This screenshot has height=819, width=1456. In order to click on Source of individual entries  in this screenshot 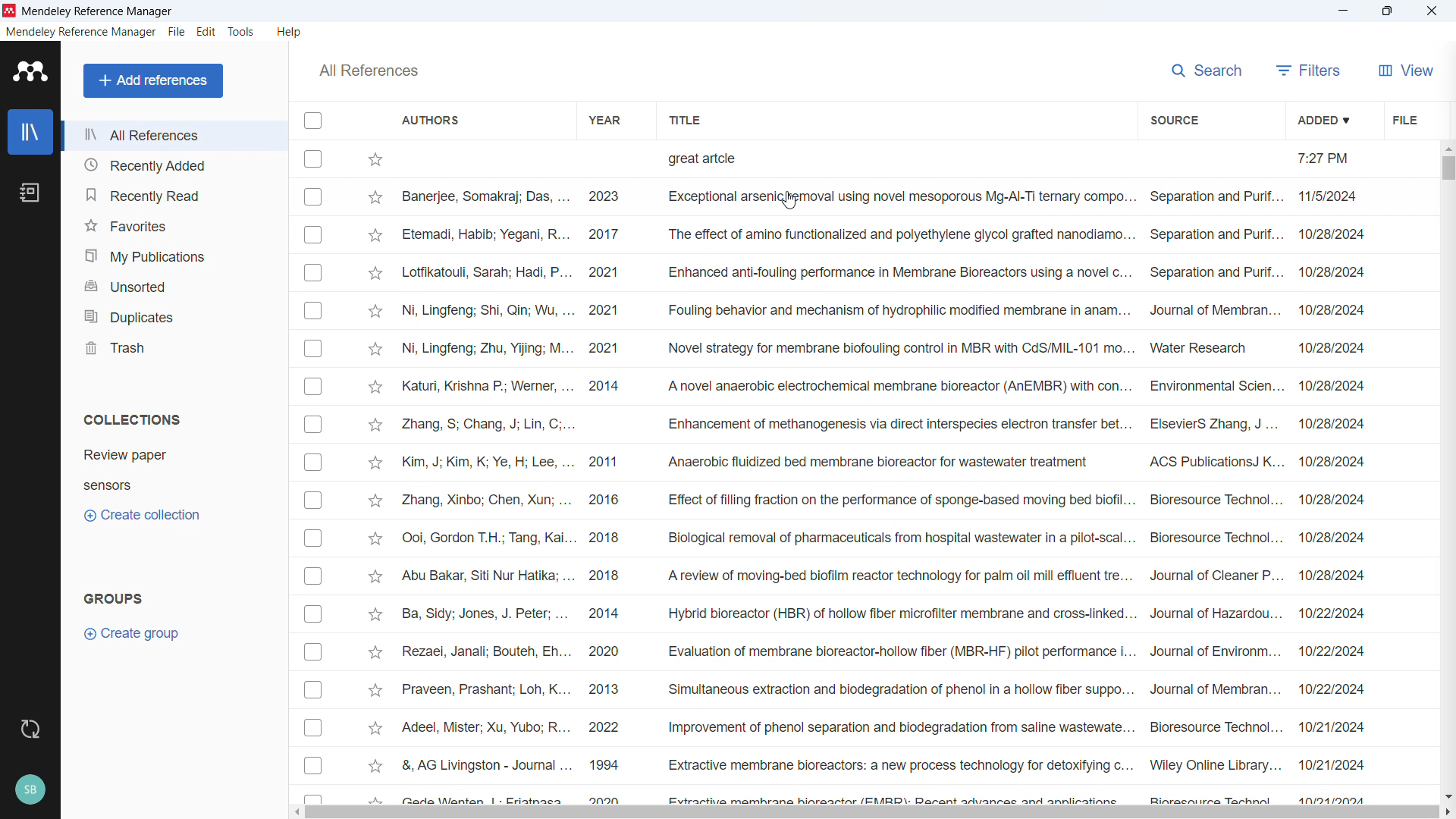, I will do `click(1214, 475)`.